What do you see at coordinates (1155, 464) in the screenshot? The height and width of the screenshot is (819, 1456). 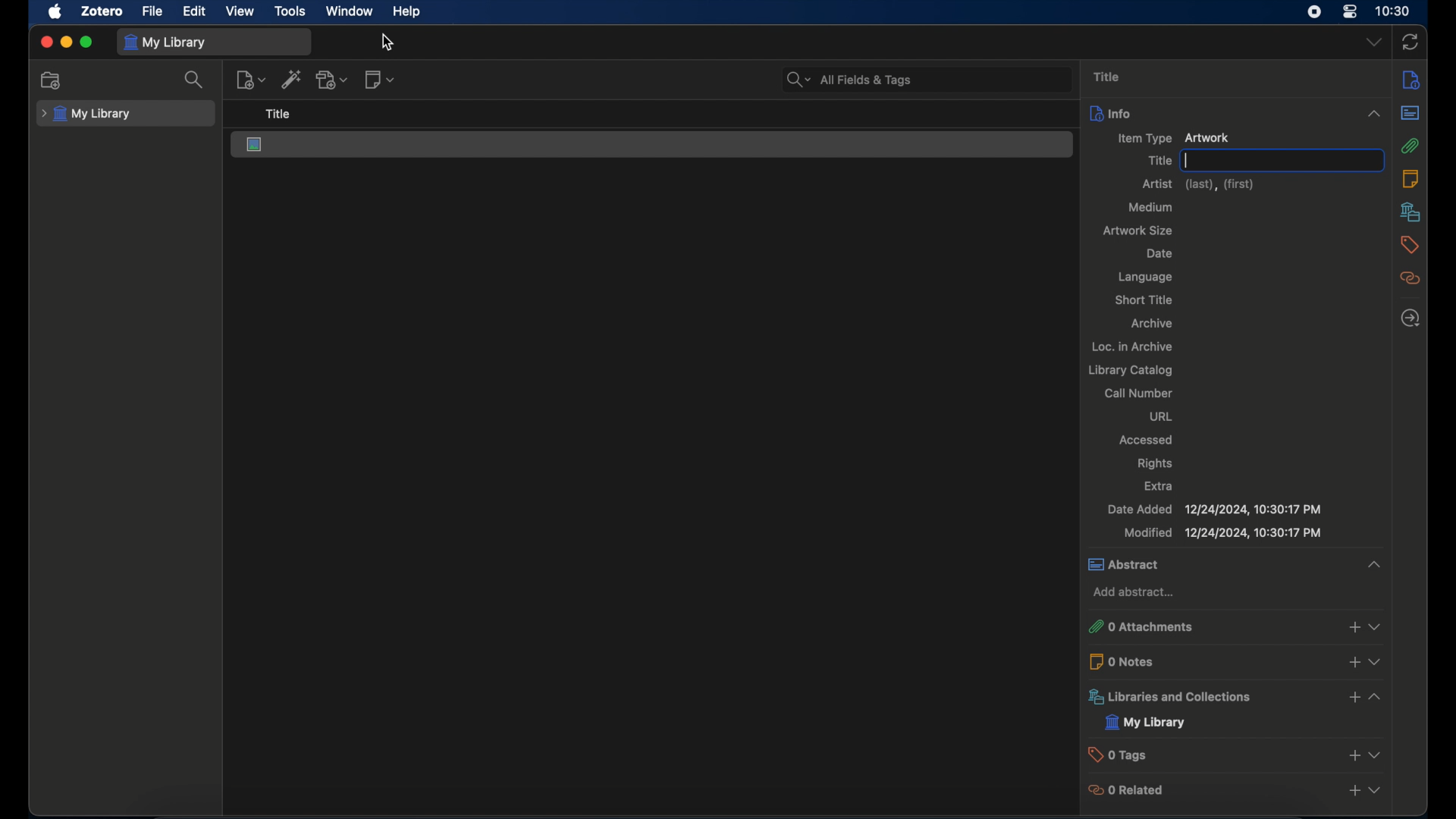 I see `rights` at bounding box center [1155, 464].